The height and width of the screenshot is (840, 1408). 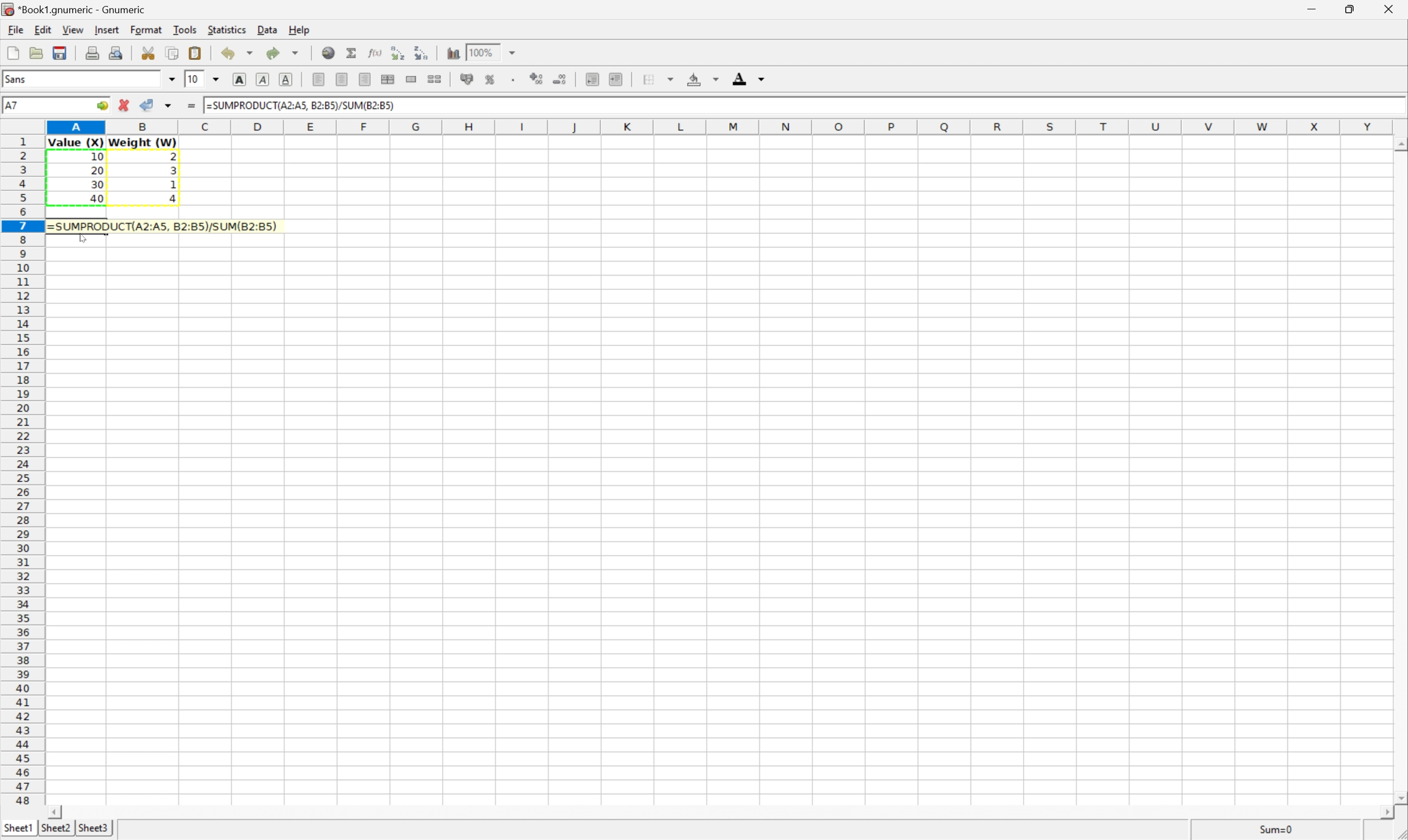 What do you see at coordinates (267, 30) in the screenshot?
I see `Data` at bounding box center [267, 30].